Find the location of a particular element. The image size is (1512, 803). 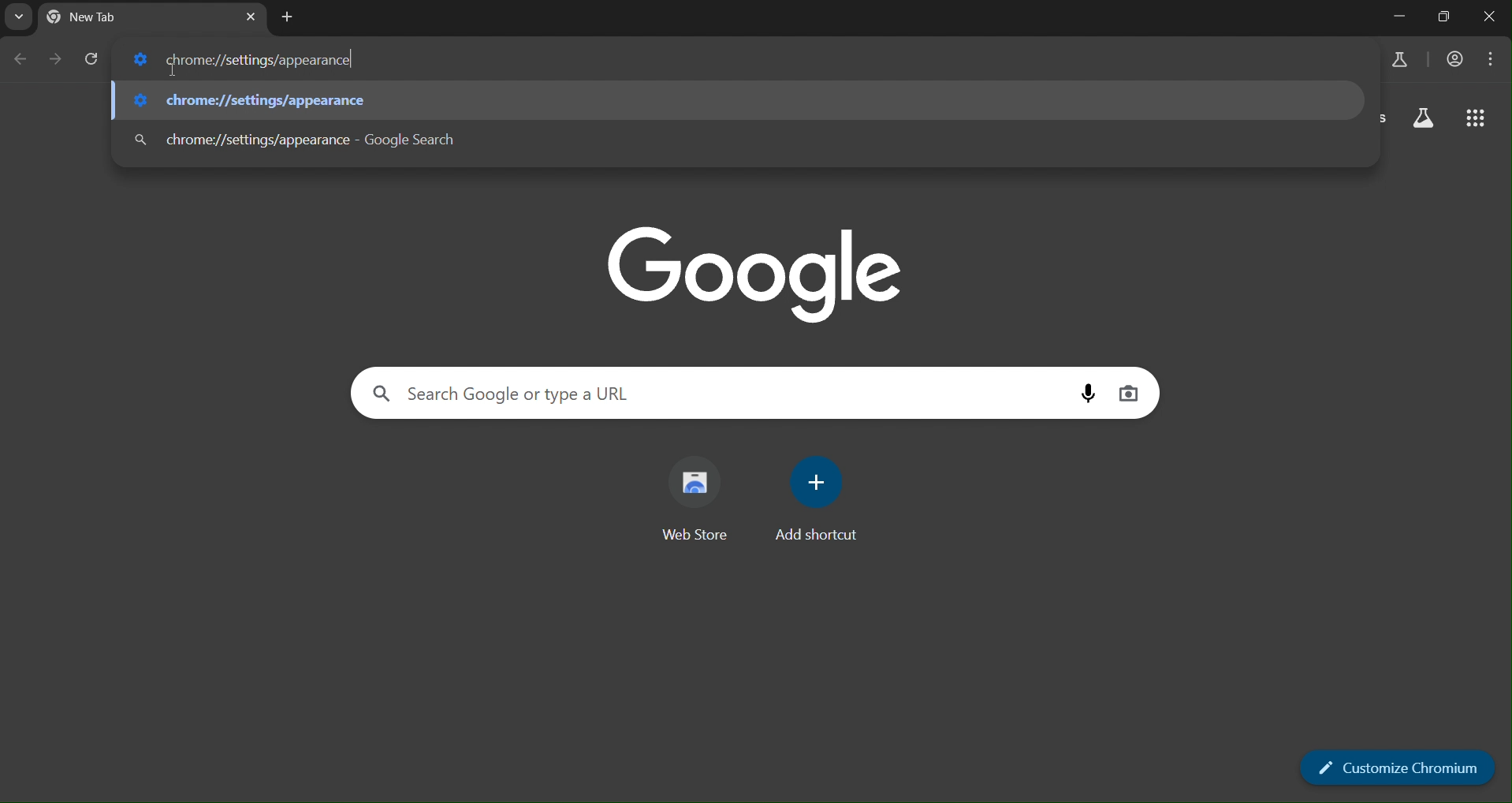

chrome://settings/appearance is located at coordinates (242, 60).